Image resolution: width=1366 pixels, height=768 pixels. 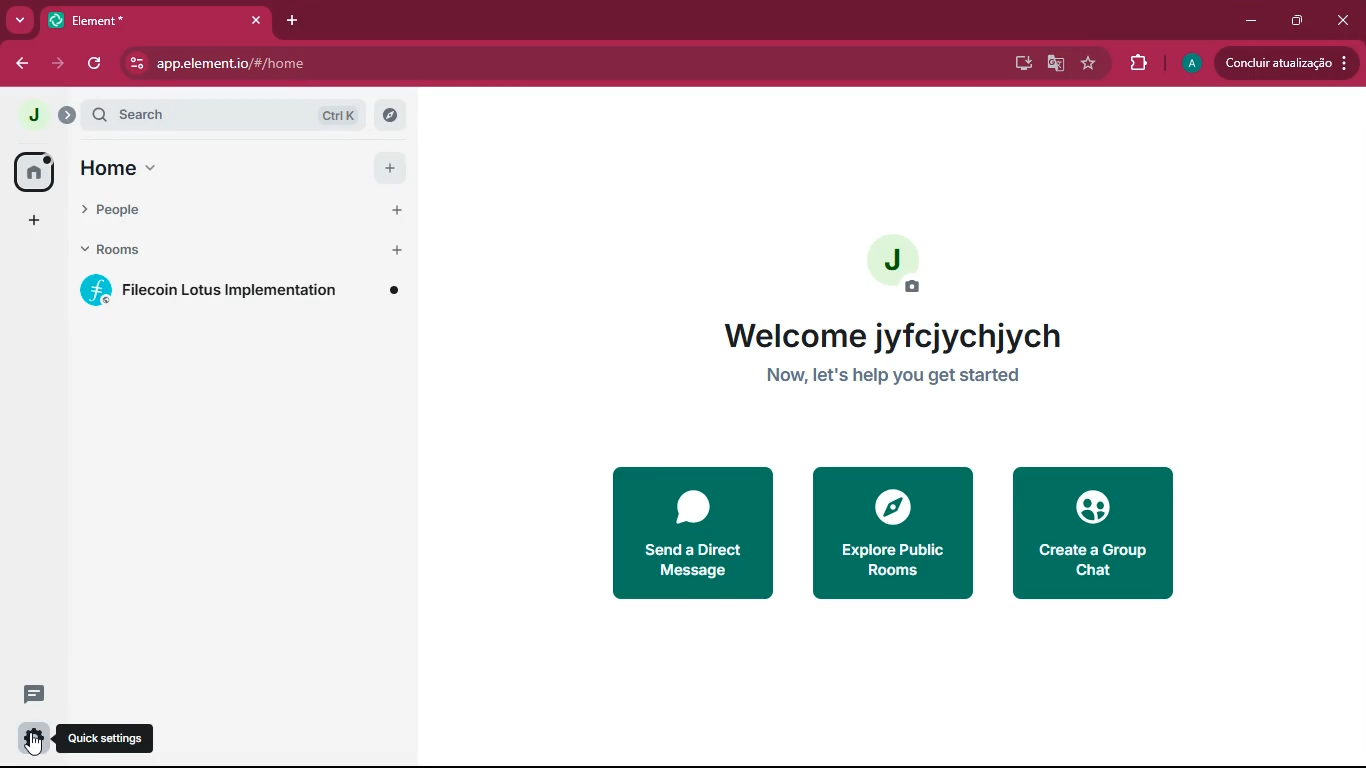 What do you see at coordinates (897, 263) in the screenshot?
I see `profile picture` at bounding box center [897, 263].